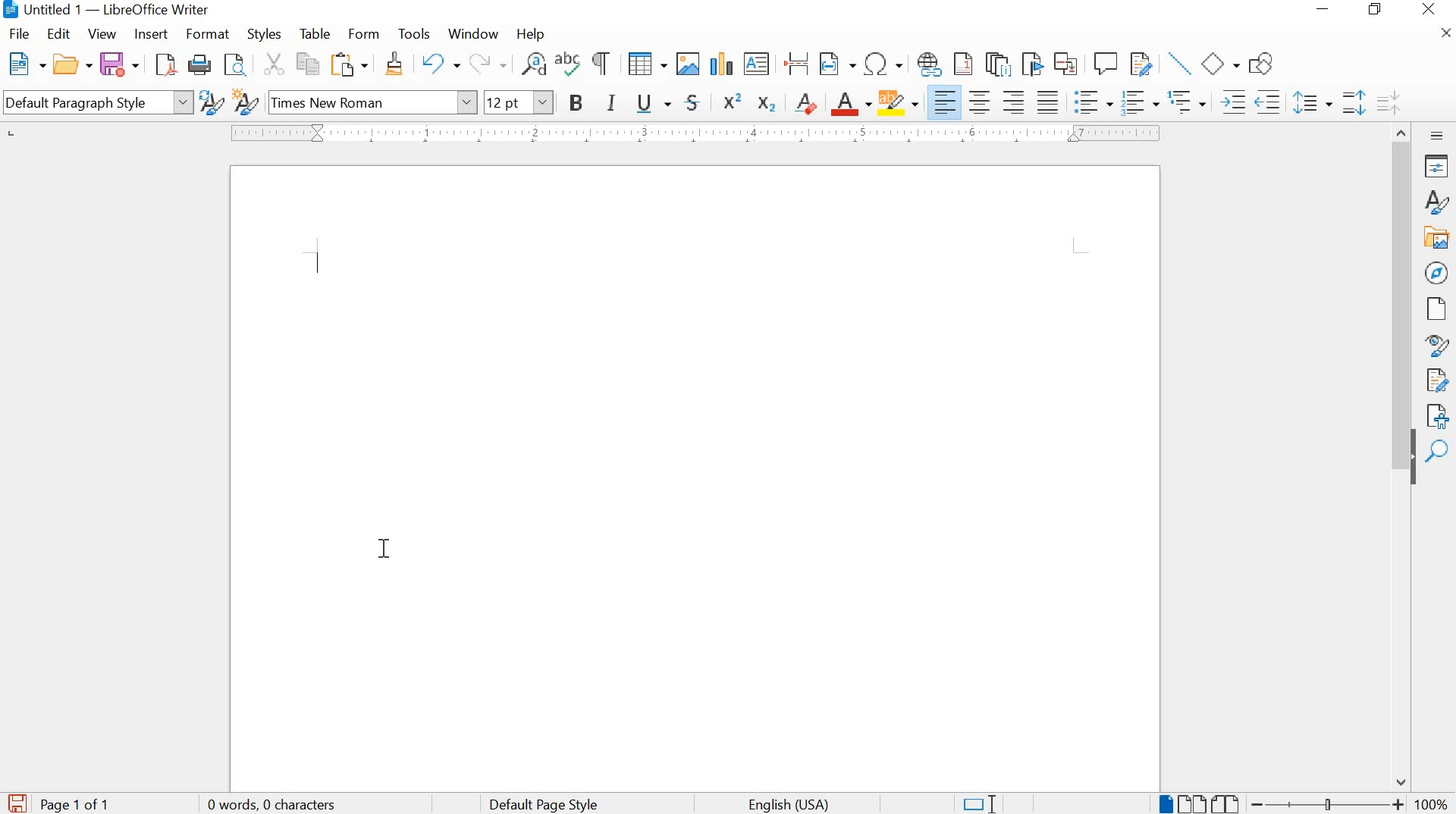 The height and width of the screenshot is (814, 1456). I want to click on TABLE, so click(315, 33).